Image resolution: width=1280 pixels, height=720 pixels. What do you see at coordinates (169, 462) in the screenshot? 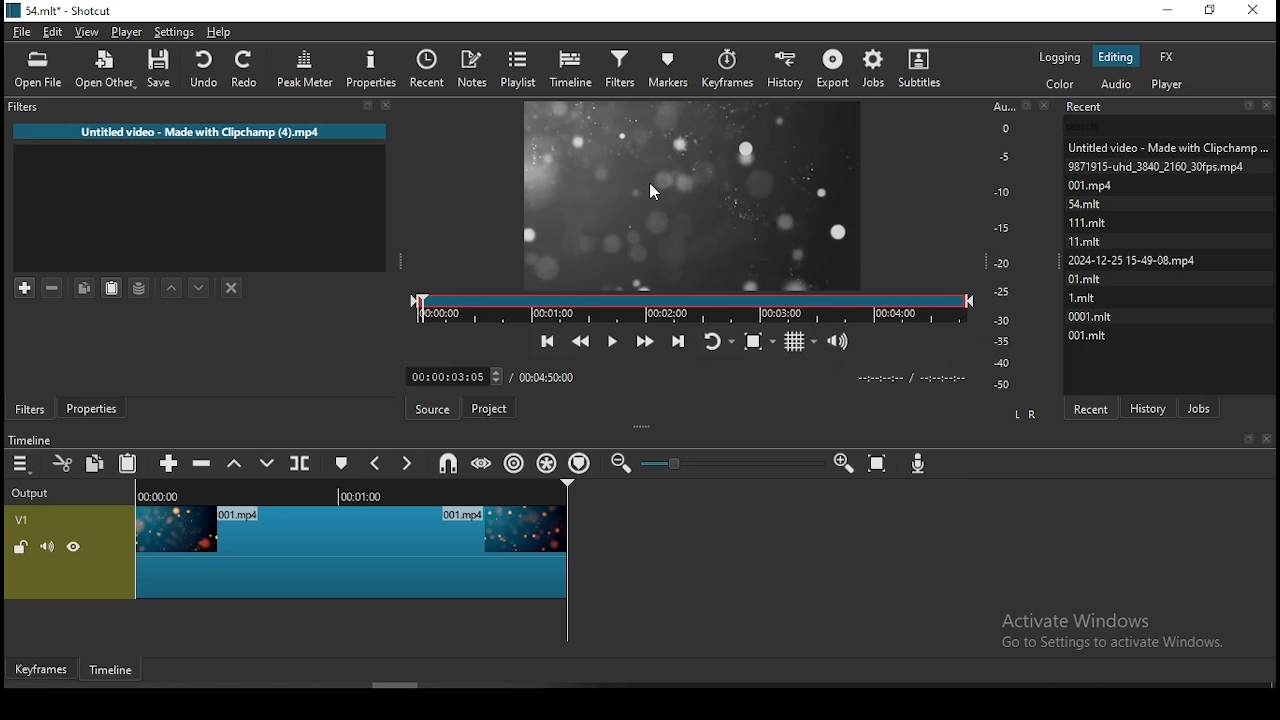
I see `append` at bounding box center [169, 462].